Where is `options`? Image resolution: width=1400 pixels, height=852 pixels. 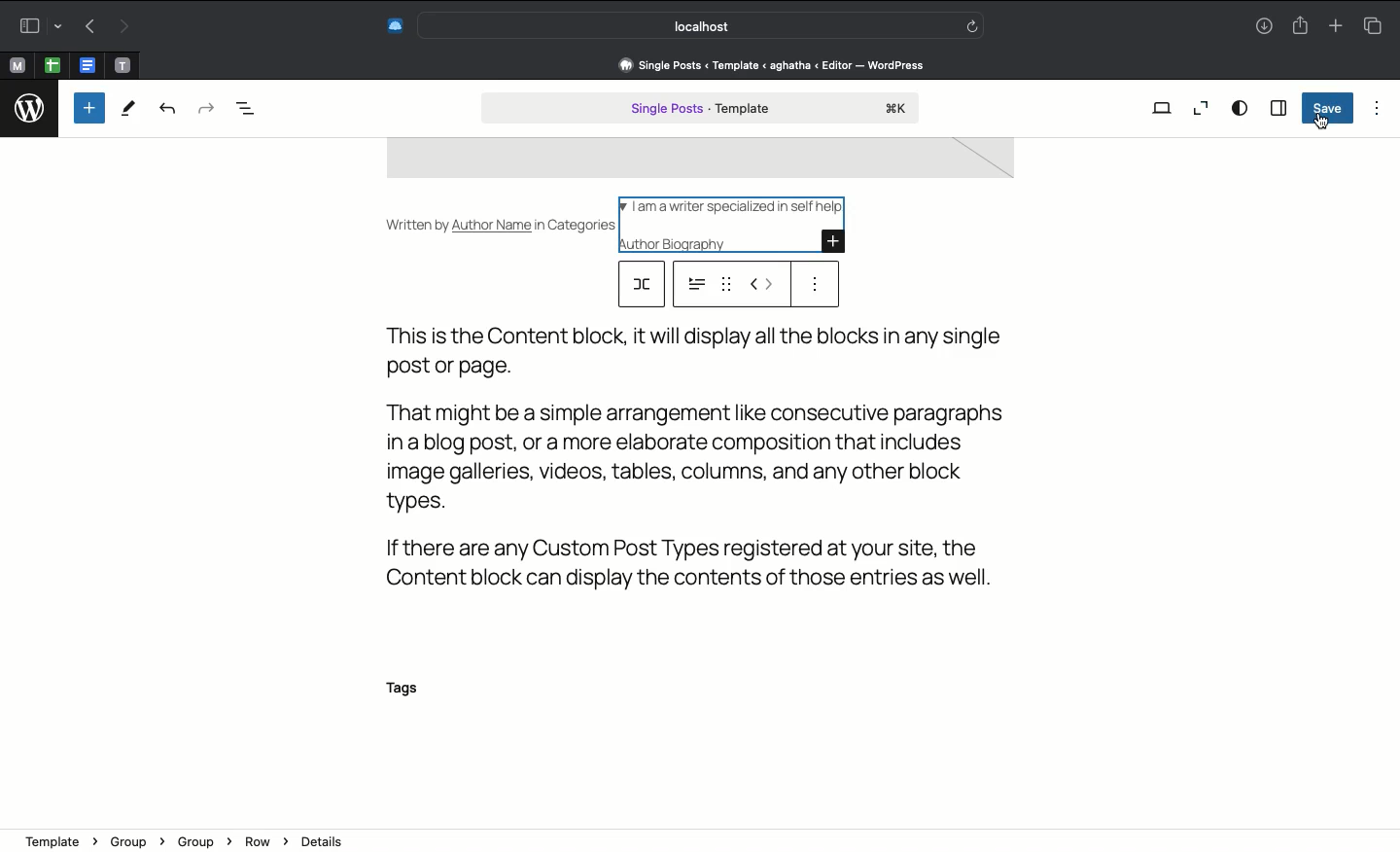
options is located at coordinates (691, 286).